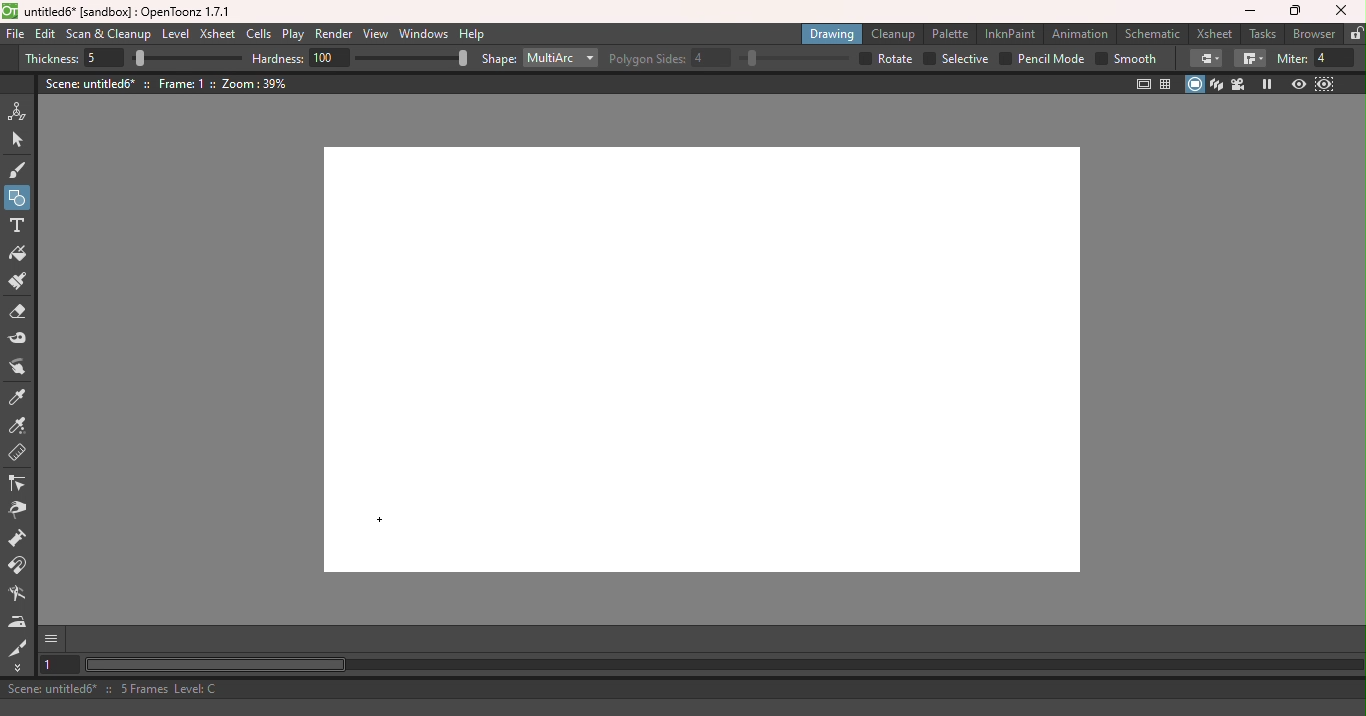  Describe the element at coordinates (1260, 33) in the screenshot. I see `Tasks` at that location.